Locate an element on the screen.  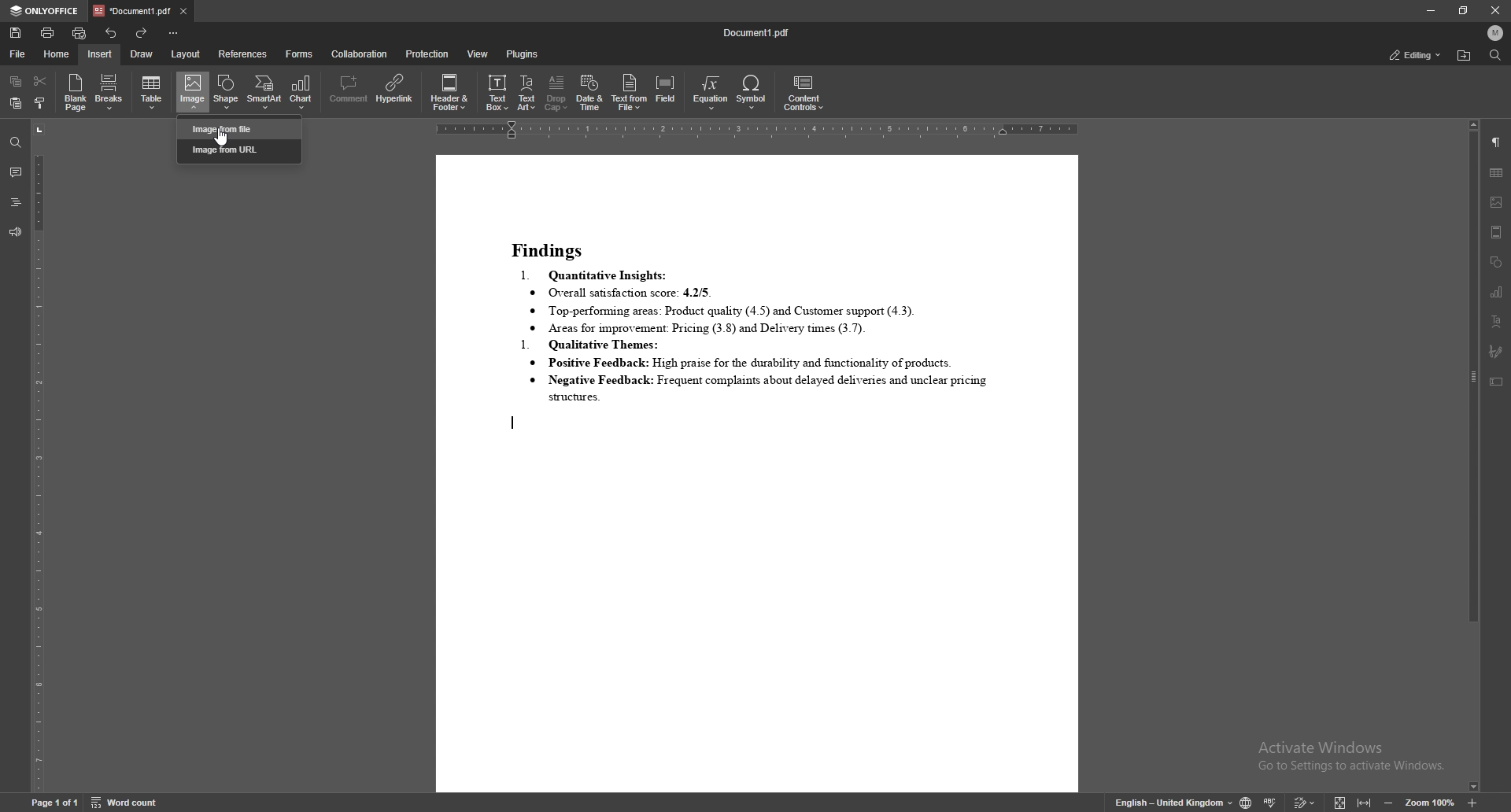
print is located at coordinates (48, 32).